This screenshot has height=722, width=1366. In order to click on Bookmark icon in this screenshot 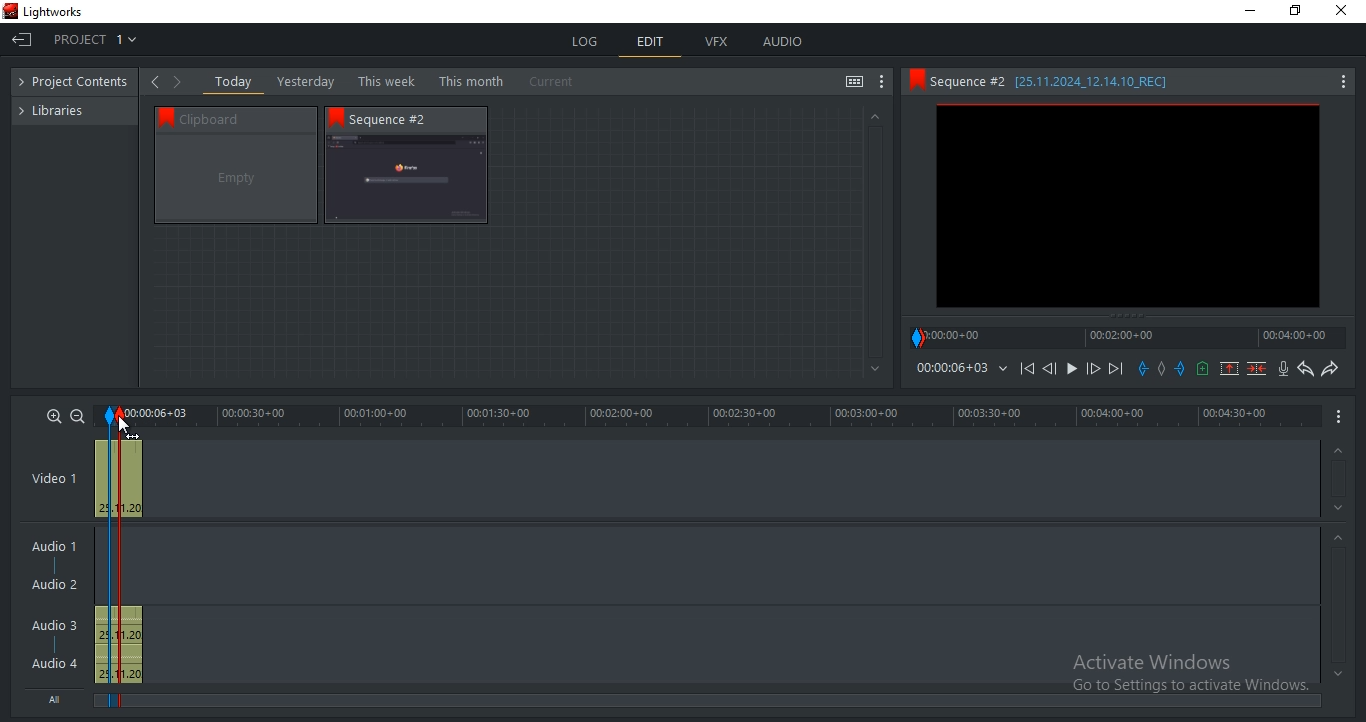, I will do `click(336, 117)`.